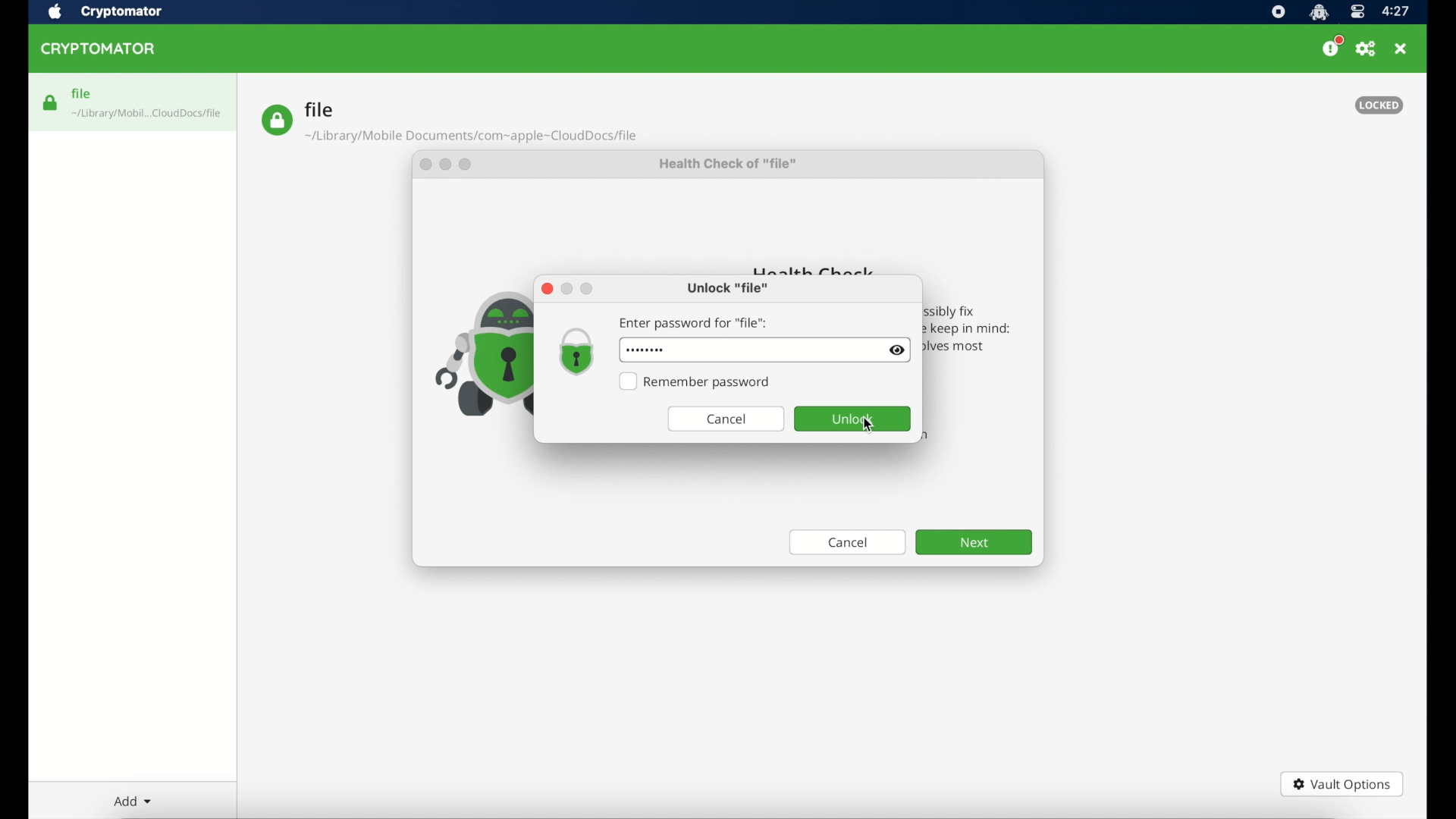  Describe the element at coordinates (1367, 49) in the screenshot. I see `preferences` at that location.